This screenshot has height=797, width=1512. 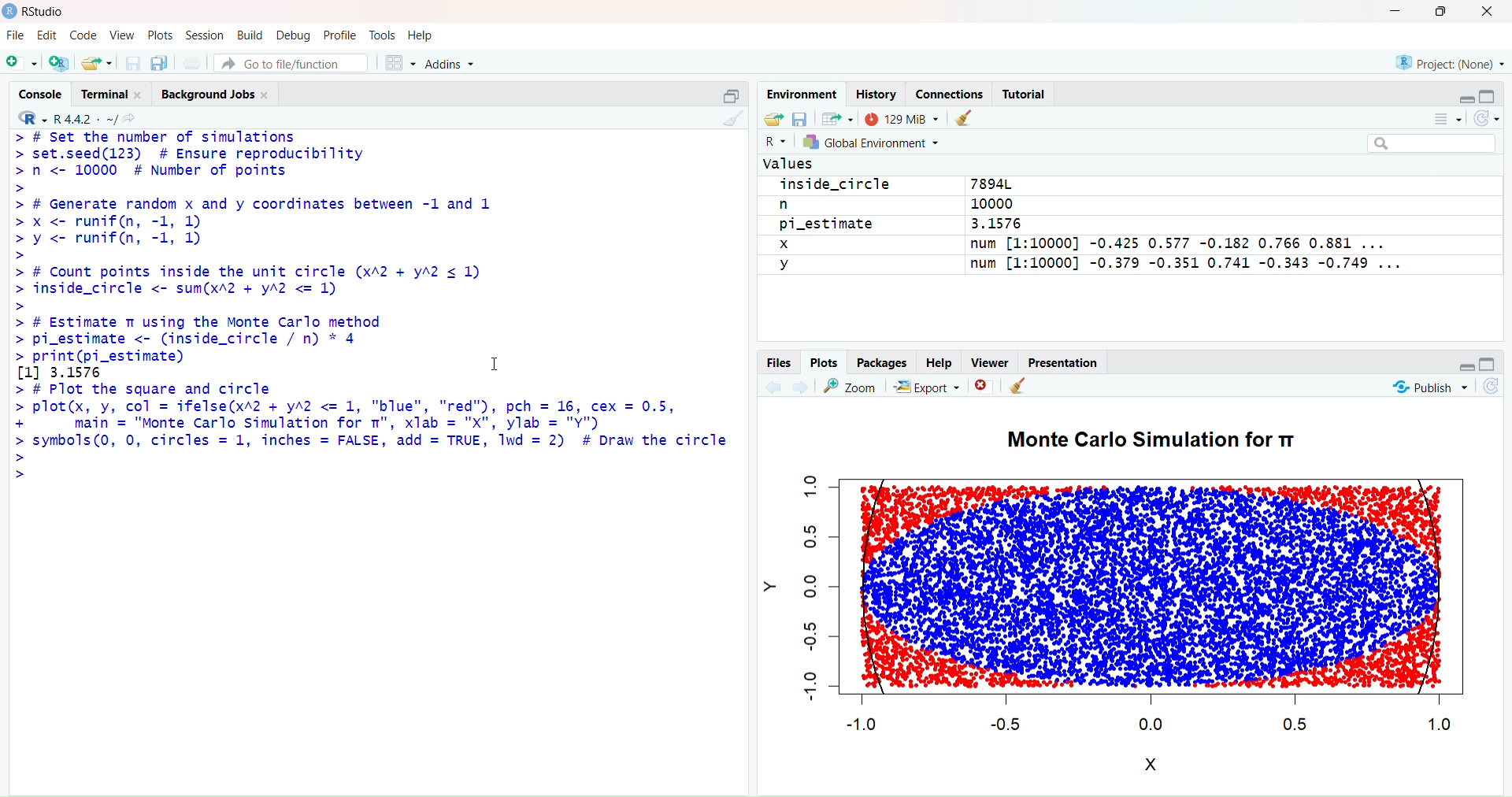 I want to click on Zoom, so click(x=854, y=388).